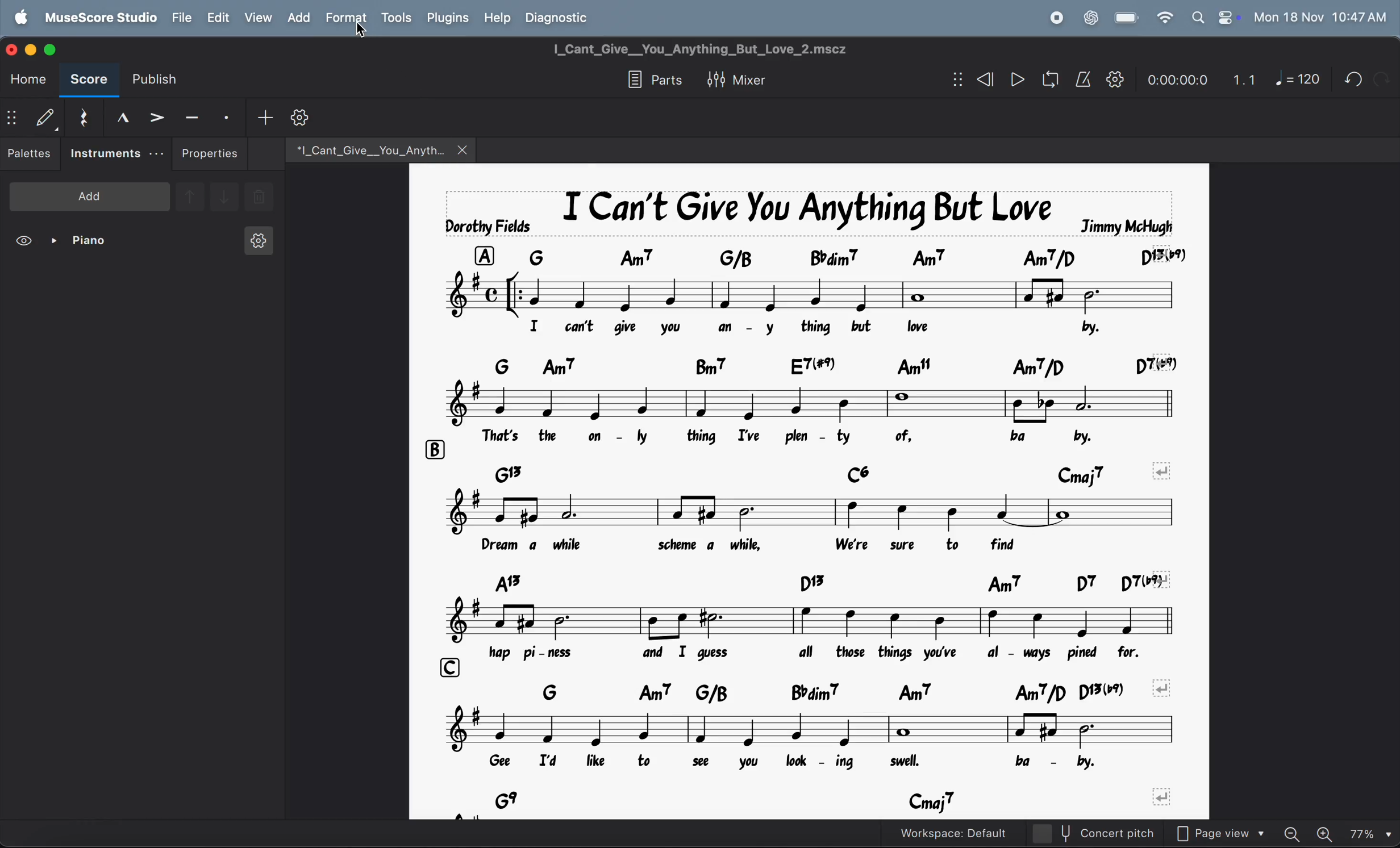  I want to click on loop playback, so click(1034, 81).